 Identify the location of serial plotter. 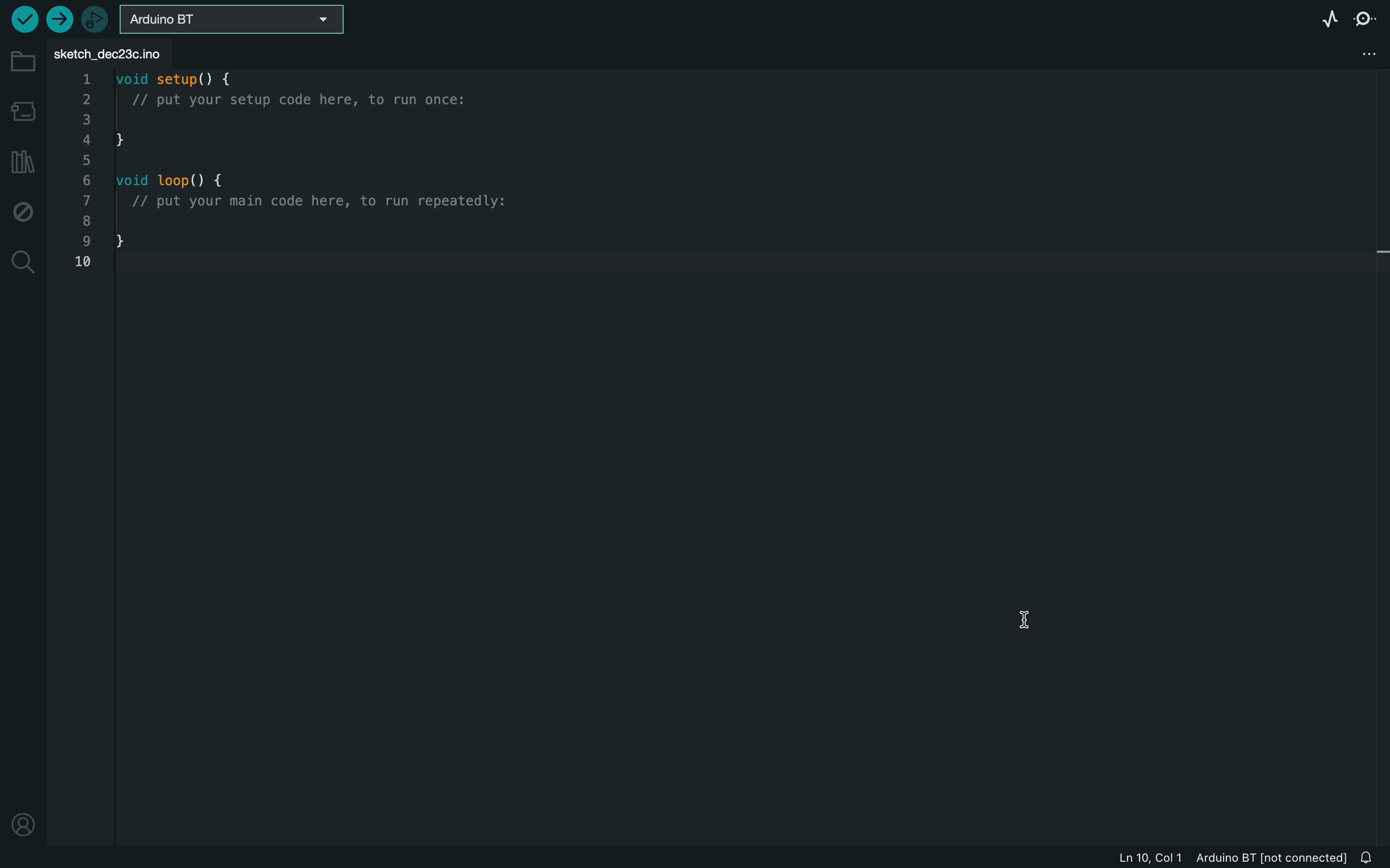
(1326, 17).